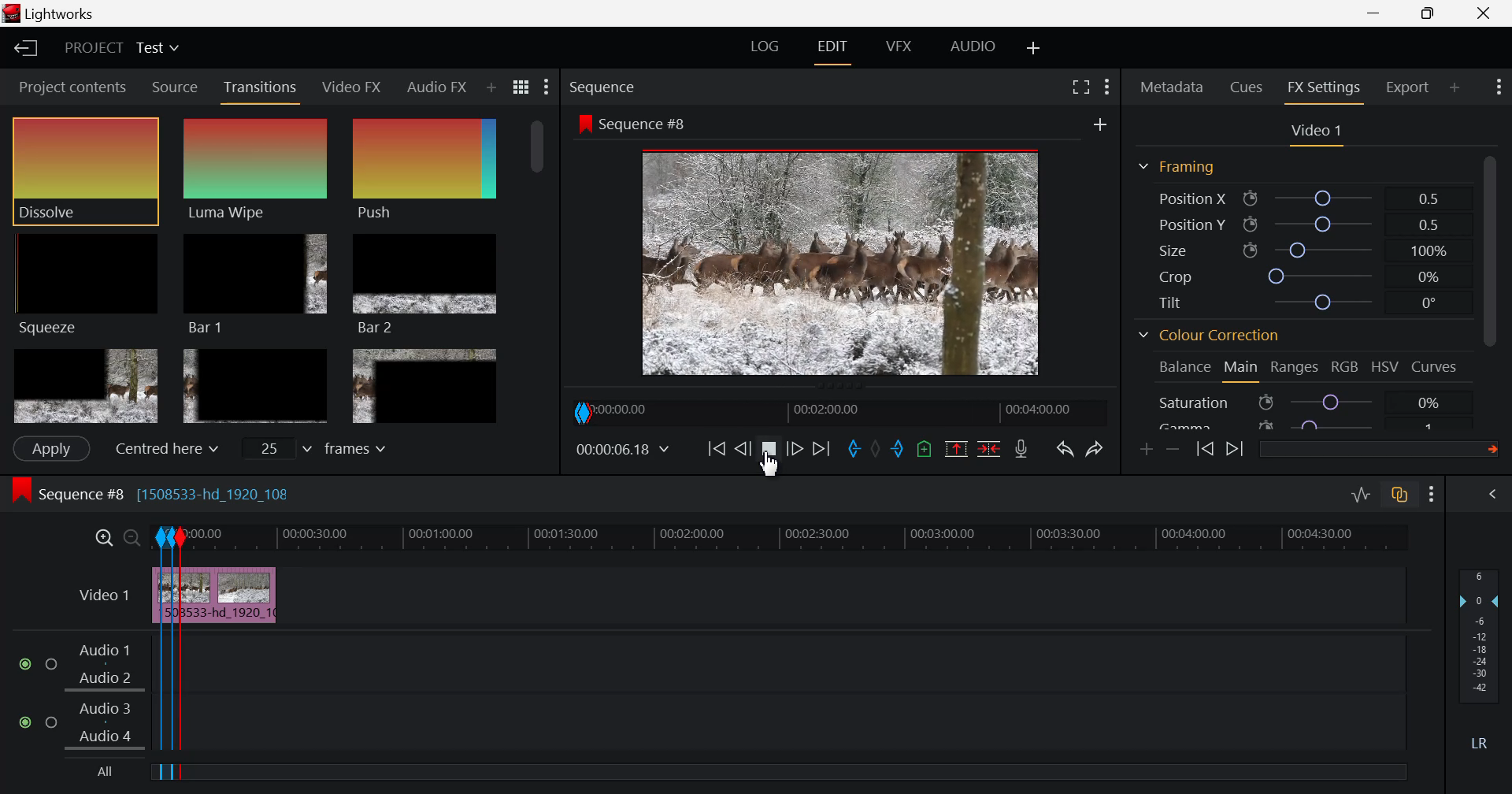 This screenshot has width=1512, height=794. I want to click on HSV, so click(1385, 368).